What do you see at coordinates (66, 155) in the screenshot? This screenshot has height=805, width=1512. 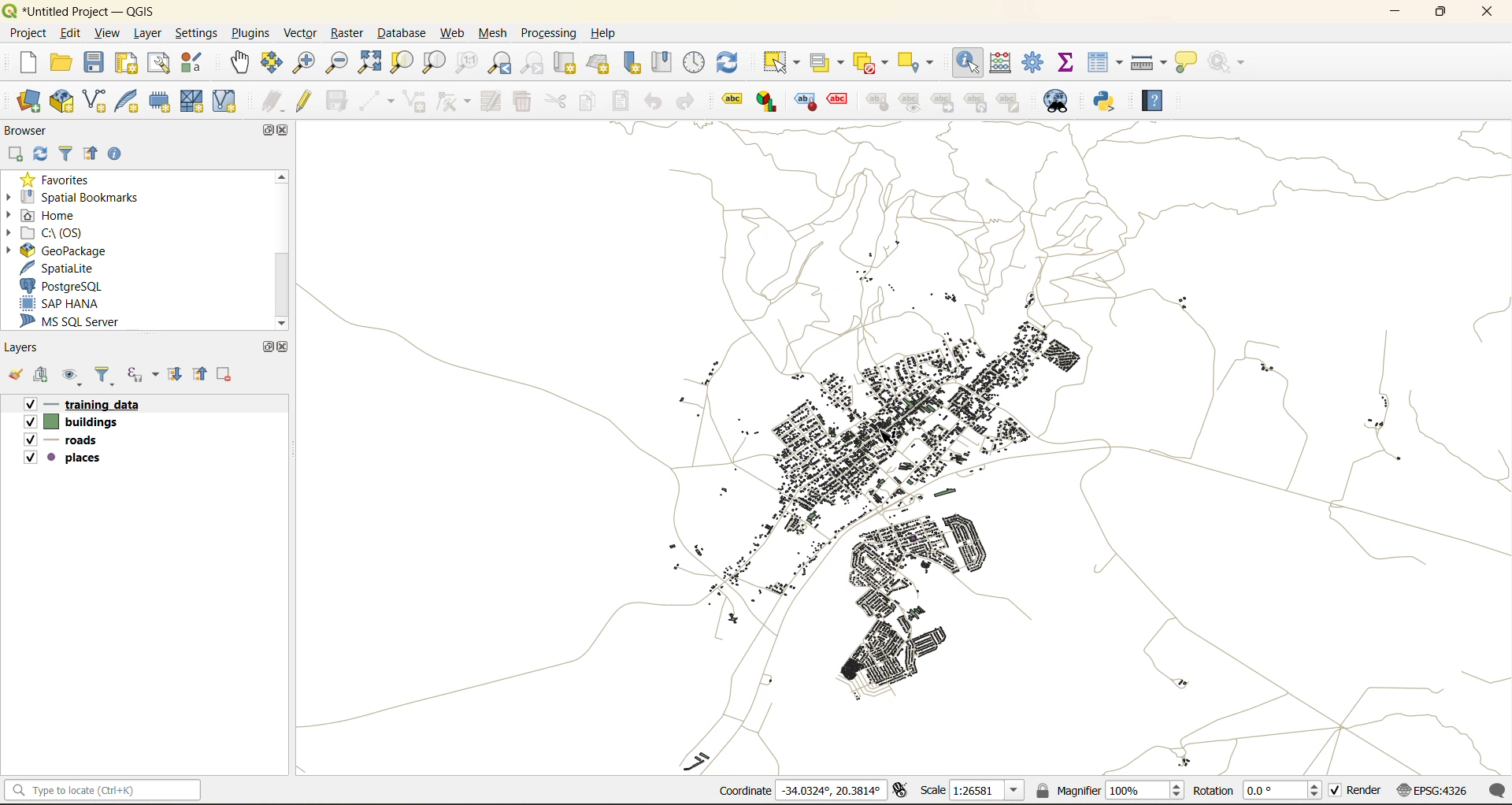 I see `filter` at bounding box center [66, 155].